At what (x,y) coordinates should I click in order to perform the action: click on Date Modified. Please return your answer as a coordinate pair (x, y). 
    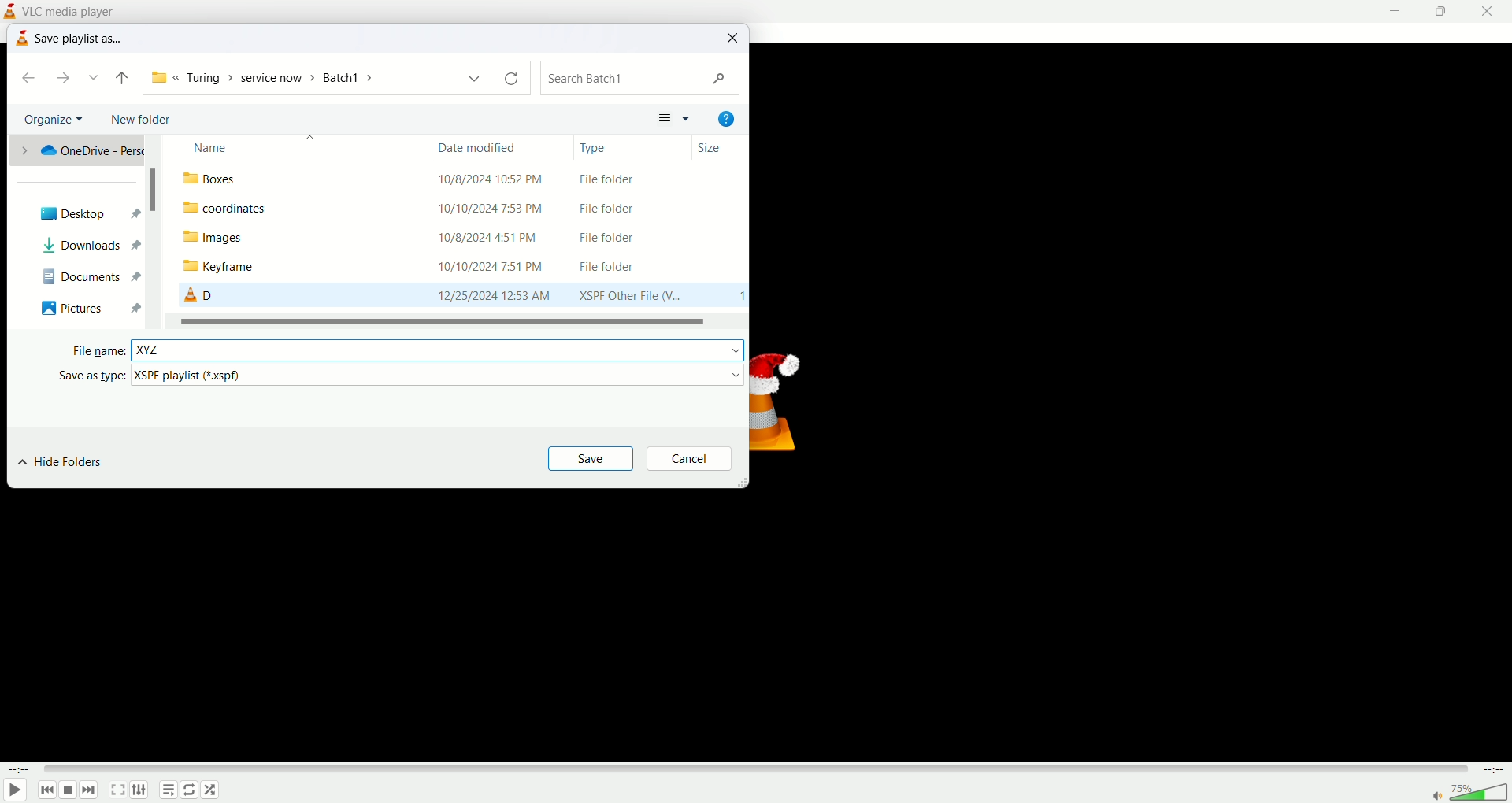
    Looking at the image, I should click on (485, 145).